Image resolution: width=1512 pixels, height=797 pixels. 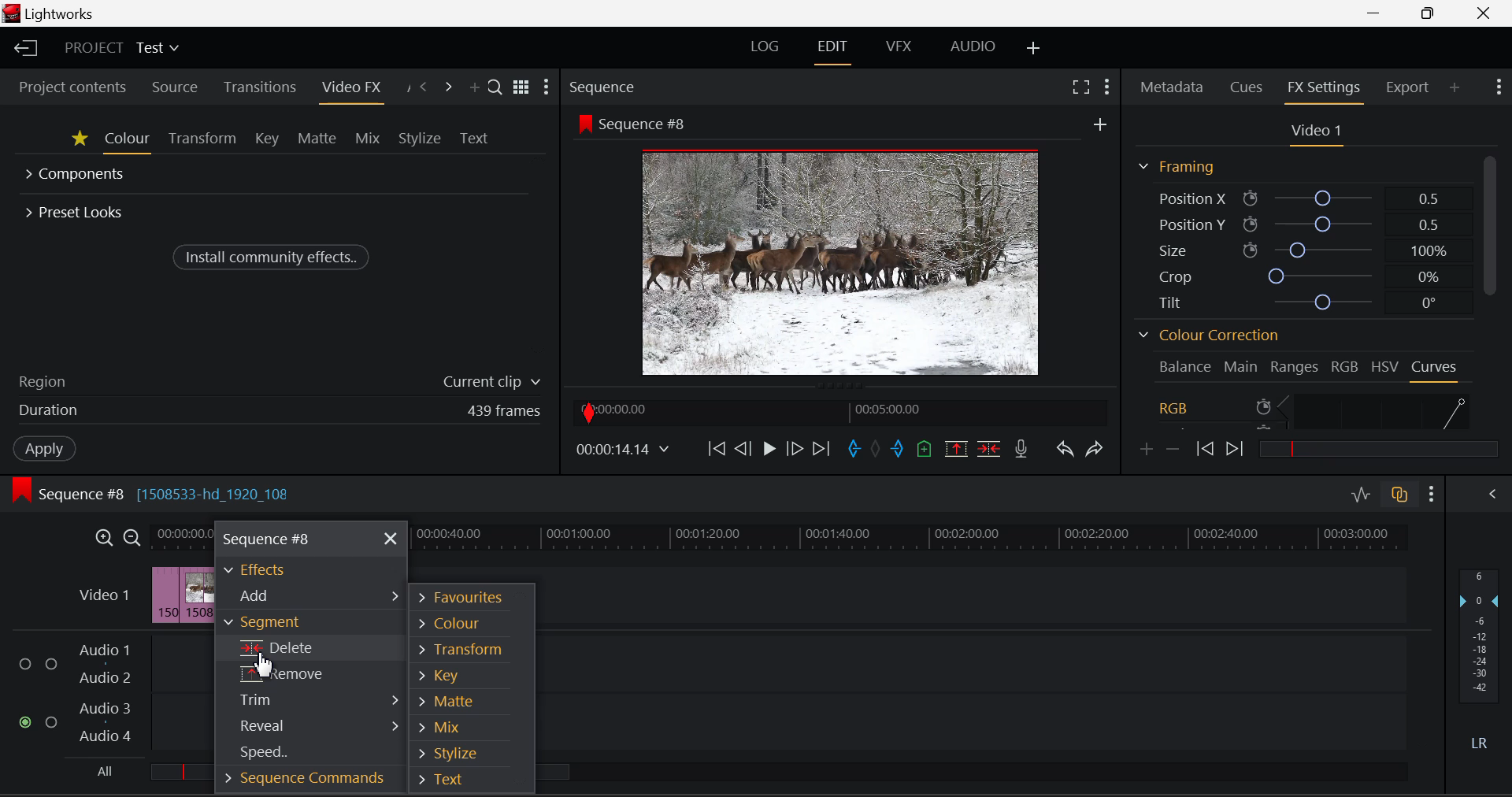 I want to click on all, so click(x=115, y=773).